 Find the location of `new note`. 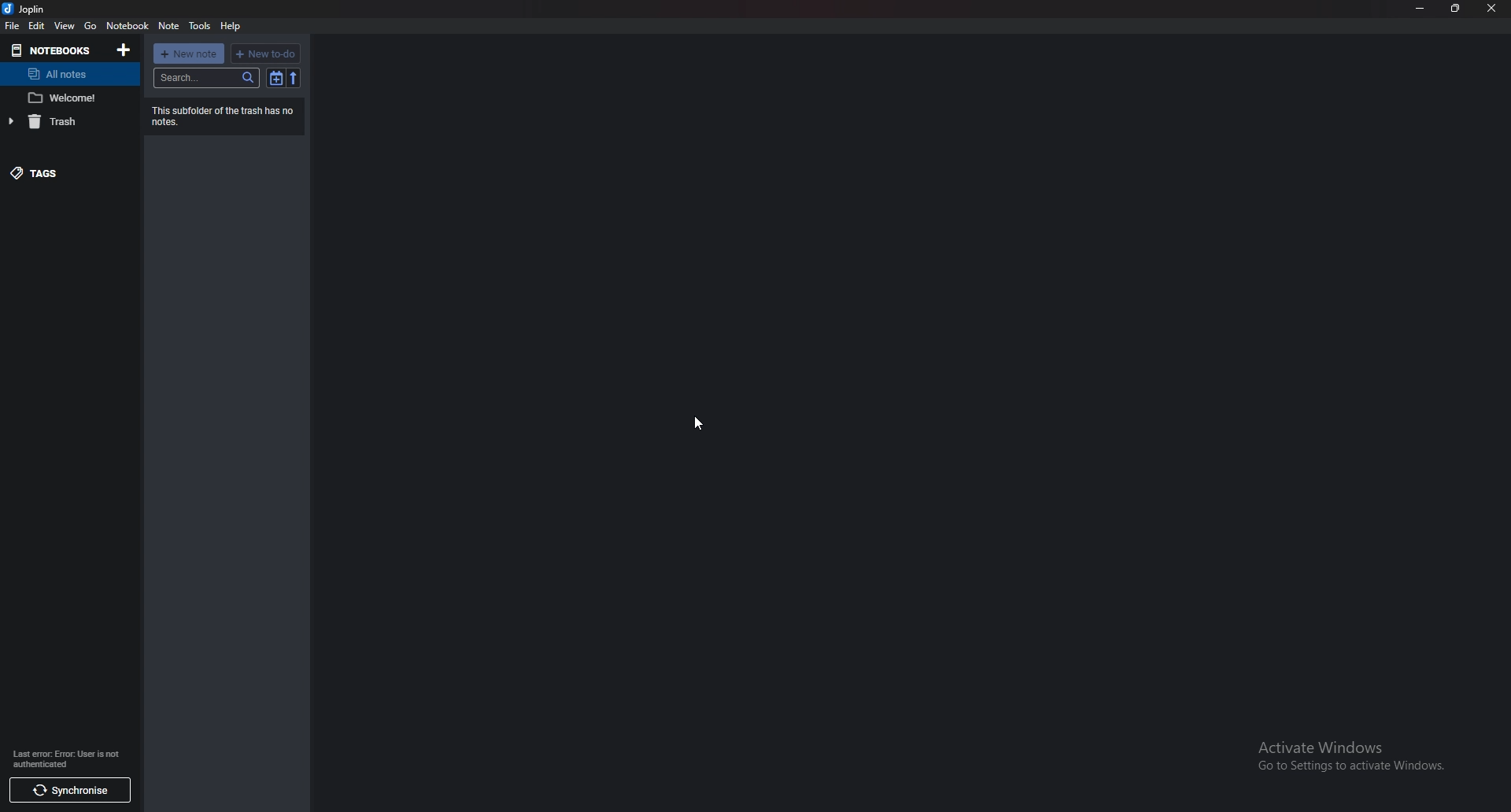

new note is located at coordinates (191, 54).